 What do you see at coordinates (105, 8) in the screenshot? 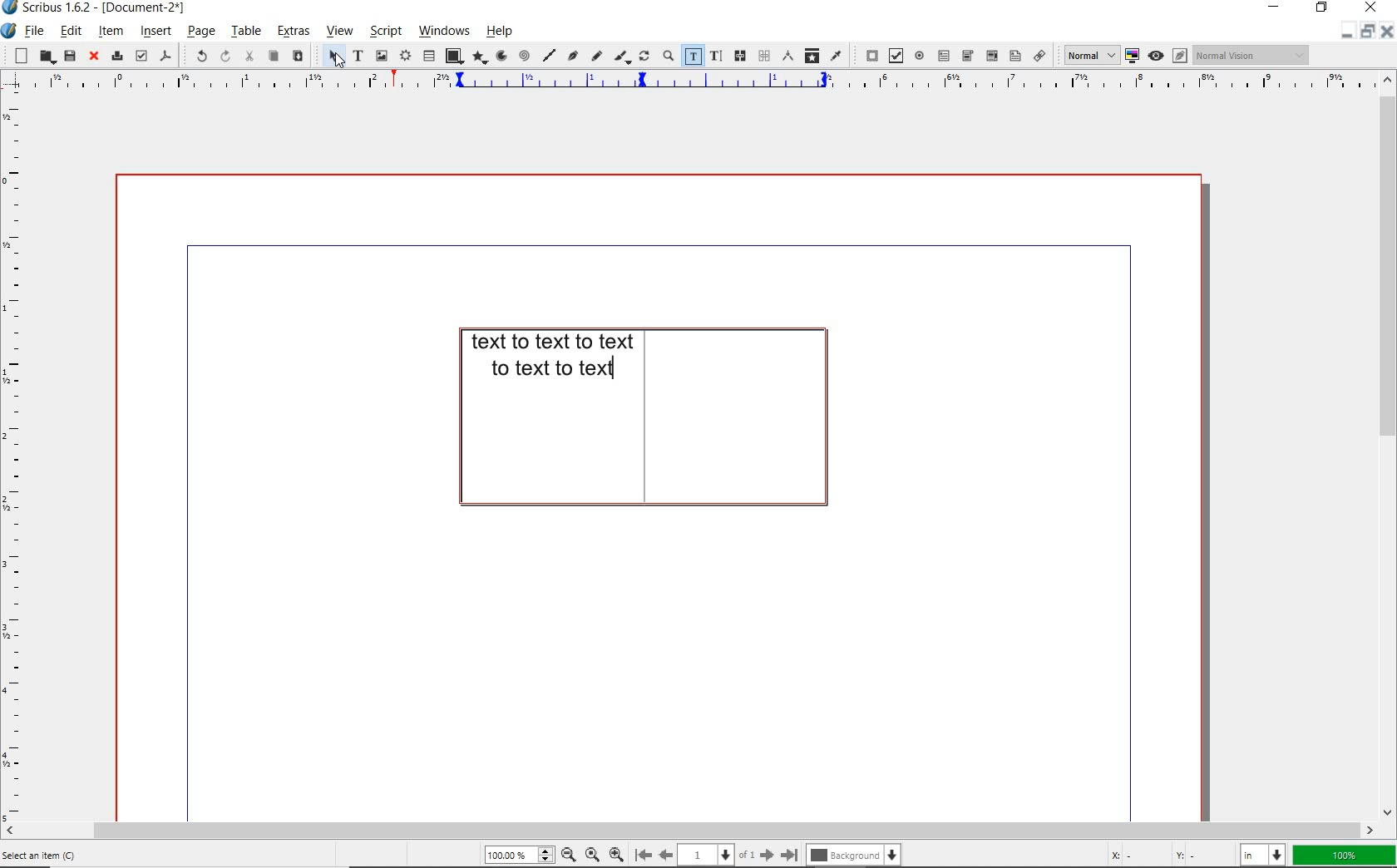
I see ` Scribus 1.6.2 - (Document-2*)` at bounding box center [105, 8].